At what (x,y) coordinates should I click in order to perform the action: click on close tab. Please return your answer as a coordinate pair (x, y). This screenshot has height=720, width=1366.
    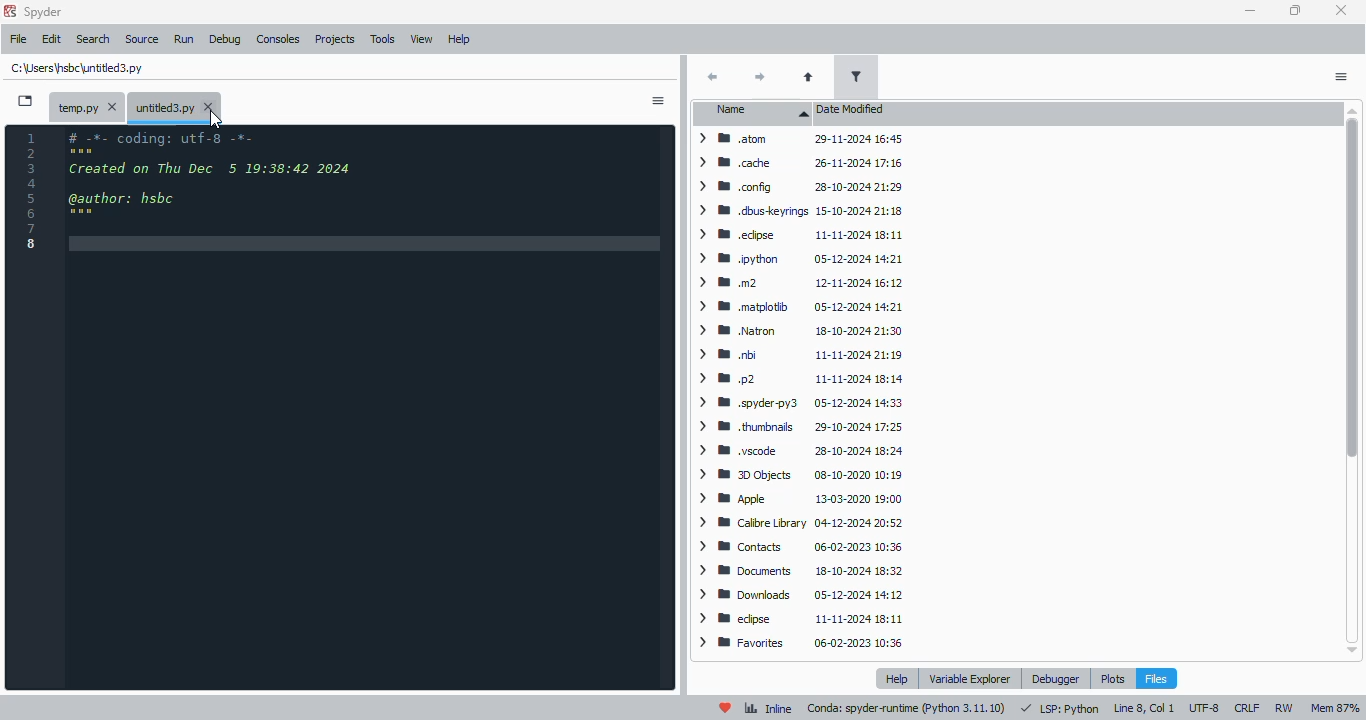
    Looking at the image, I should click on (113, 106).